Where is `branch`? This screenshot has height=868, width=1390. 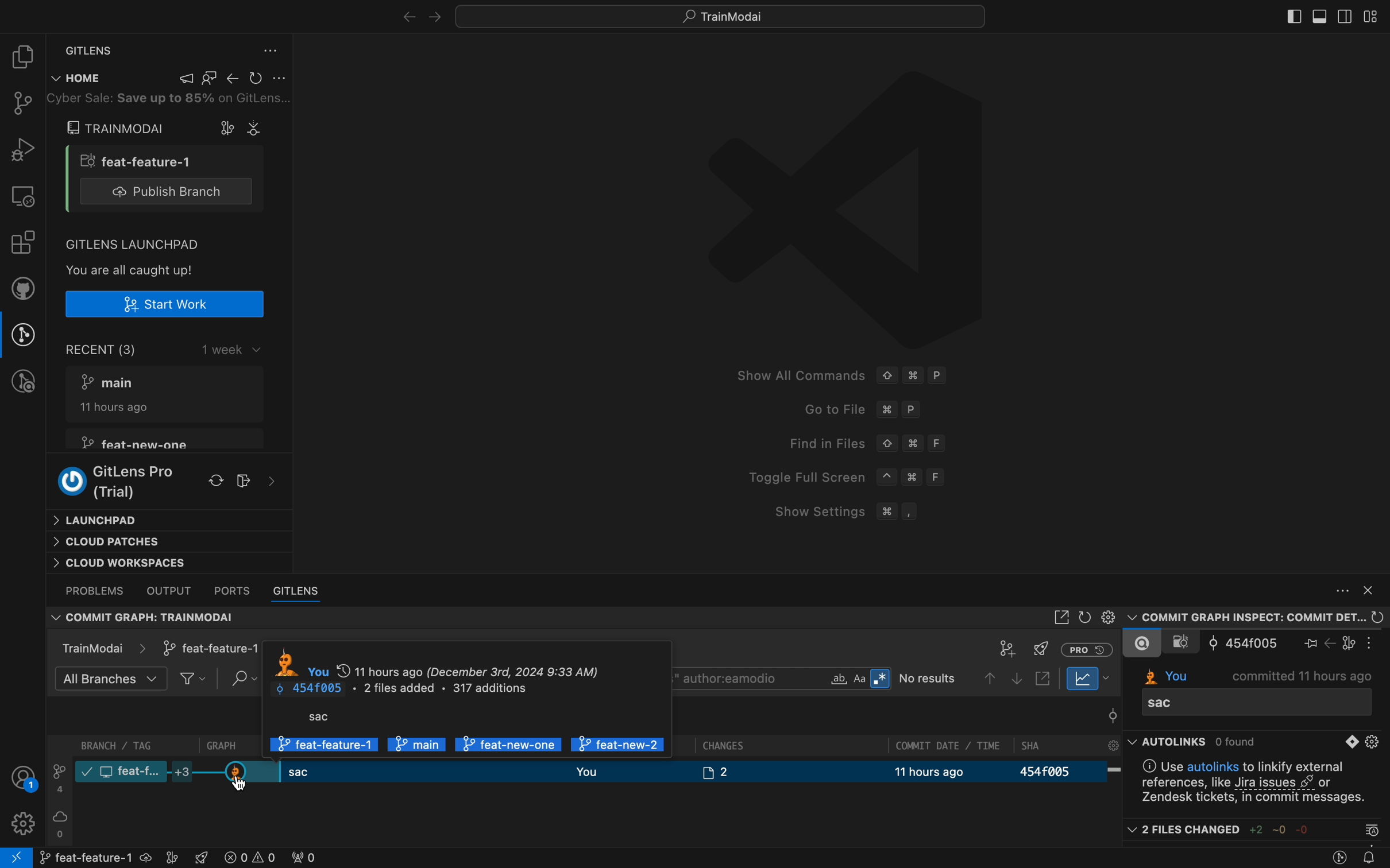
branch is located at coordinates (90, 159).